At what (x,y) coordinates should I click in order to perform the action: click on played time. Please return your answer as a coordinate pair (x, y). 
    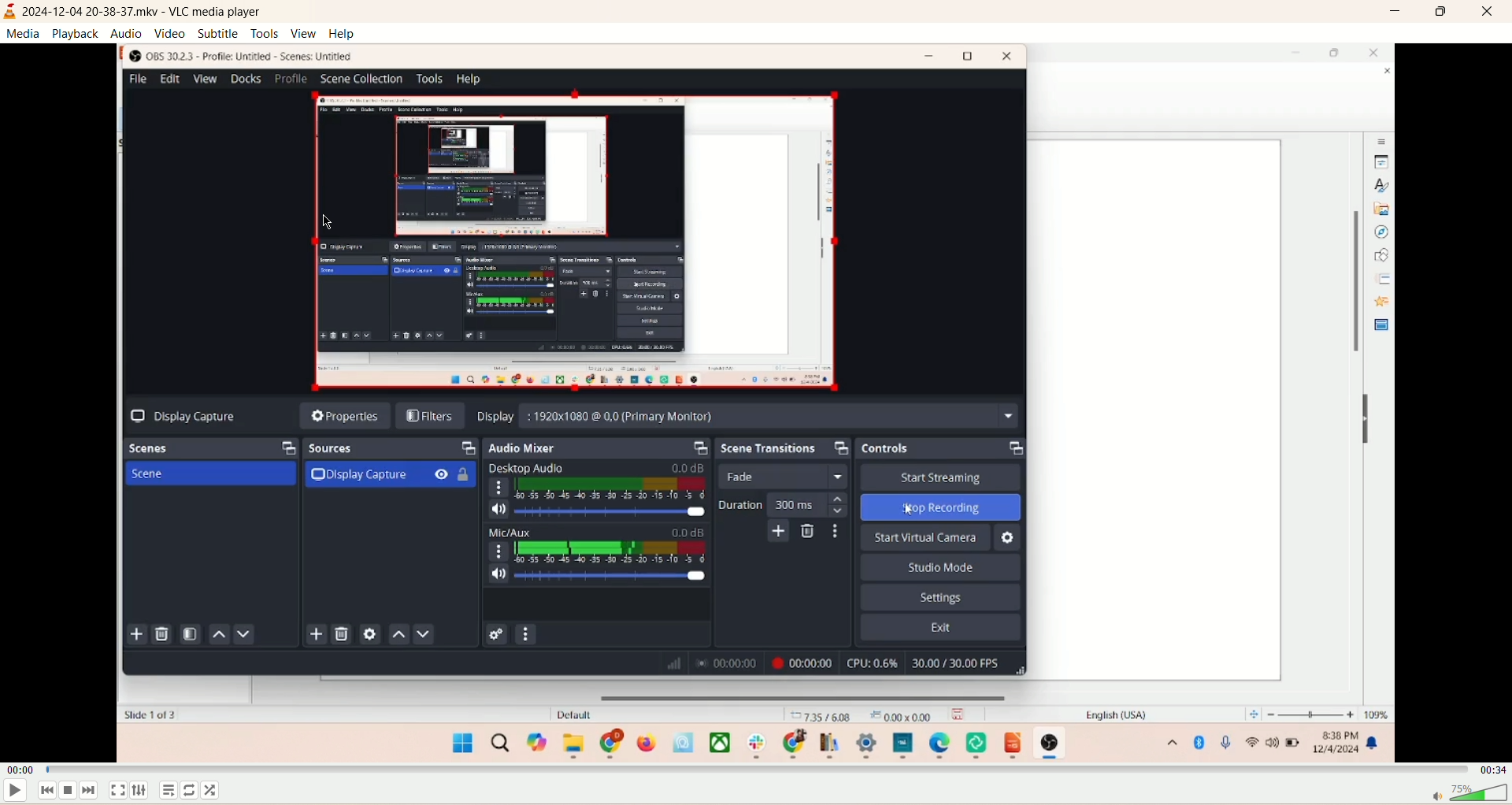
    Looking at the image, I should click on (19, 771).